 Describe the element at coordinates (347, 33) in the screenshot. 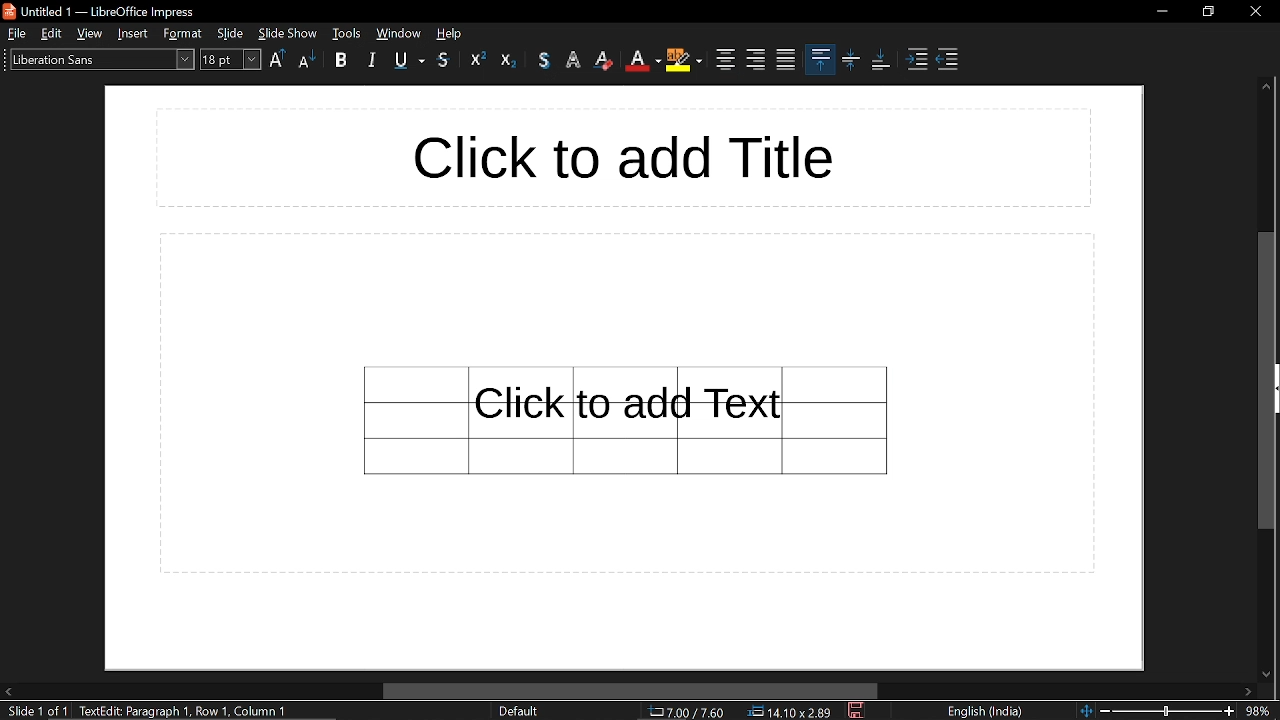

I see `window` at that location.